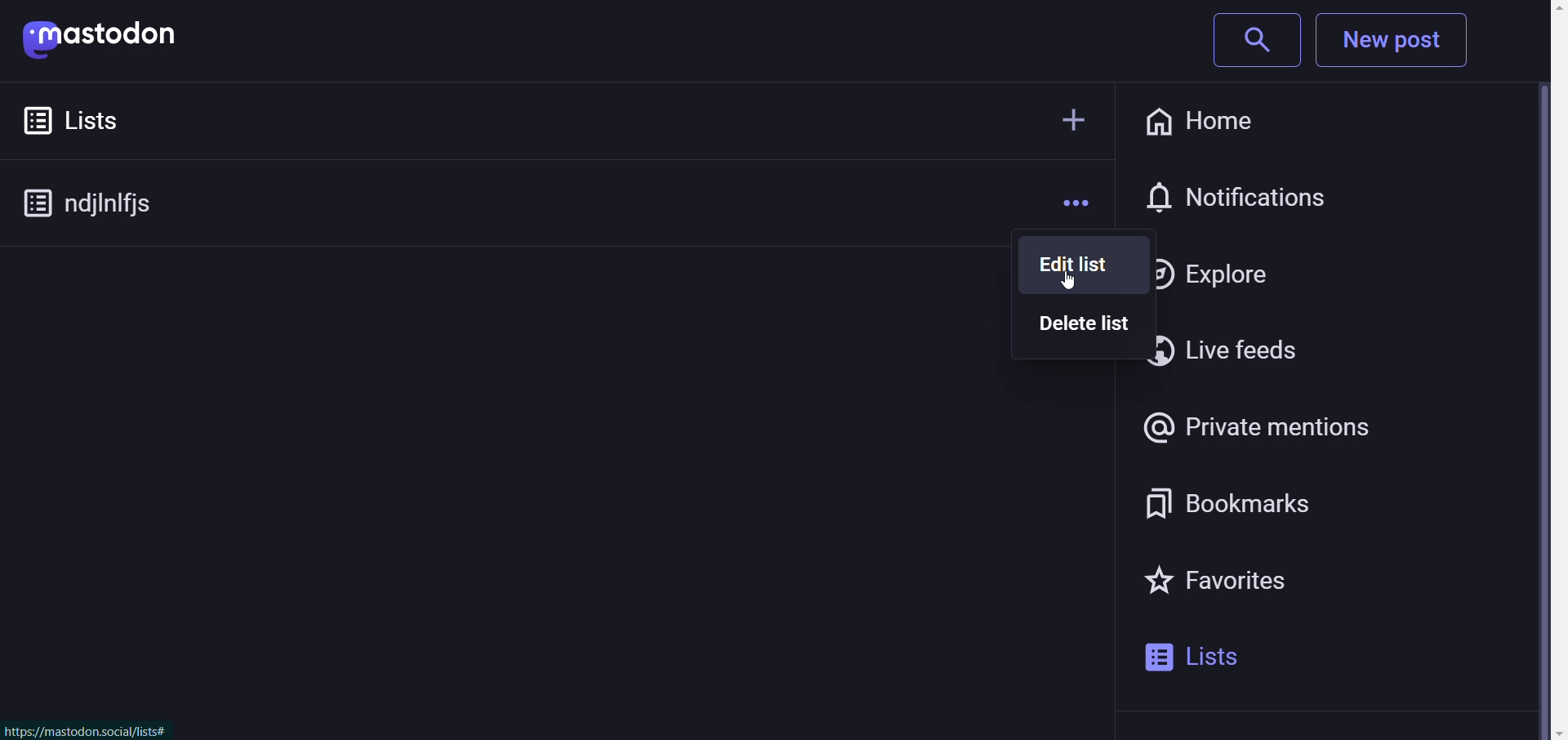  What do you see at coordinates (1248, 40) in the screenshot?
I see `search` at bounding box center [1248, 40].